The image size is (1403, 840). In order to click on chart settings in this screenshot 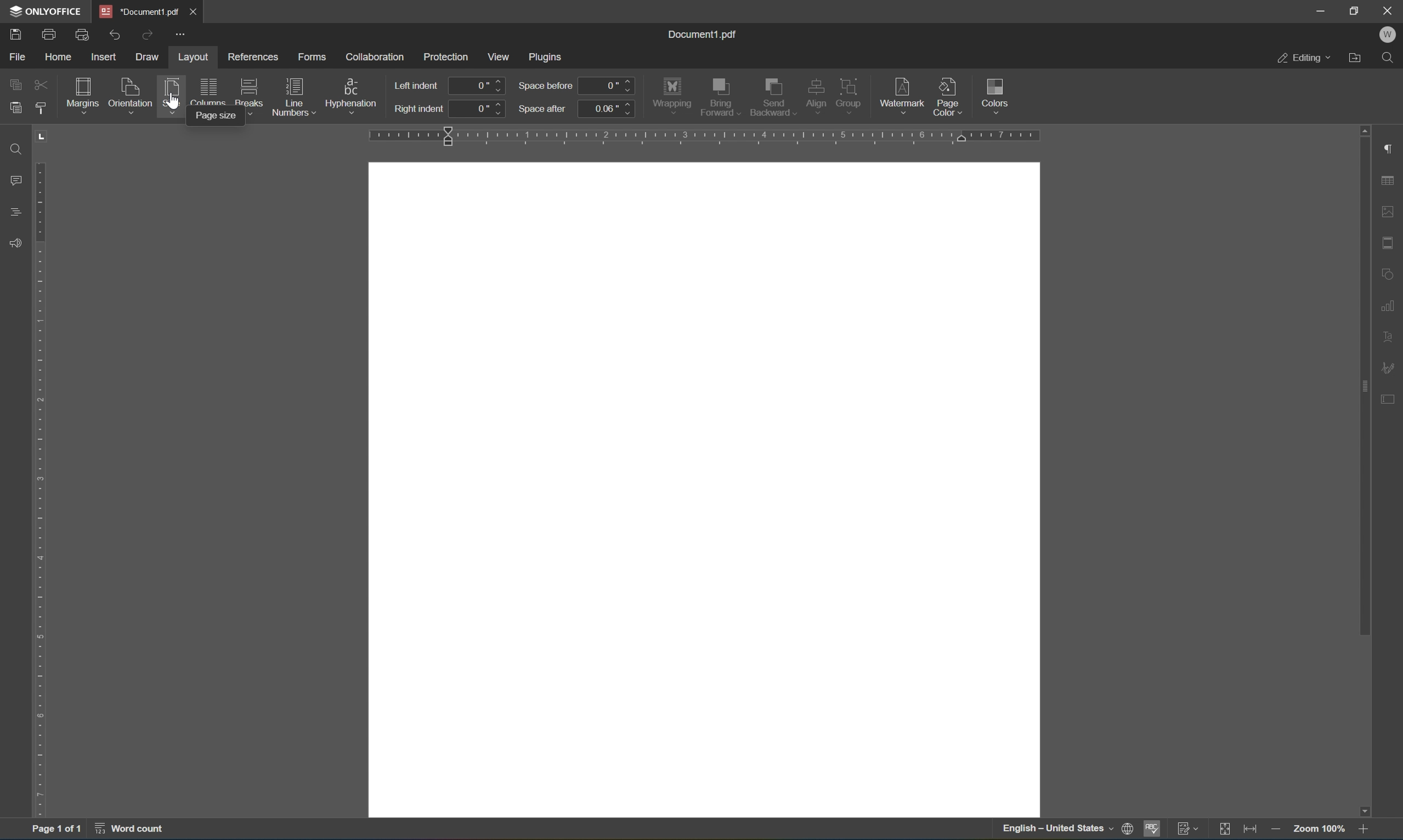, I will do `click(1391, 305)`.